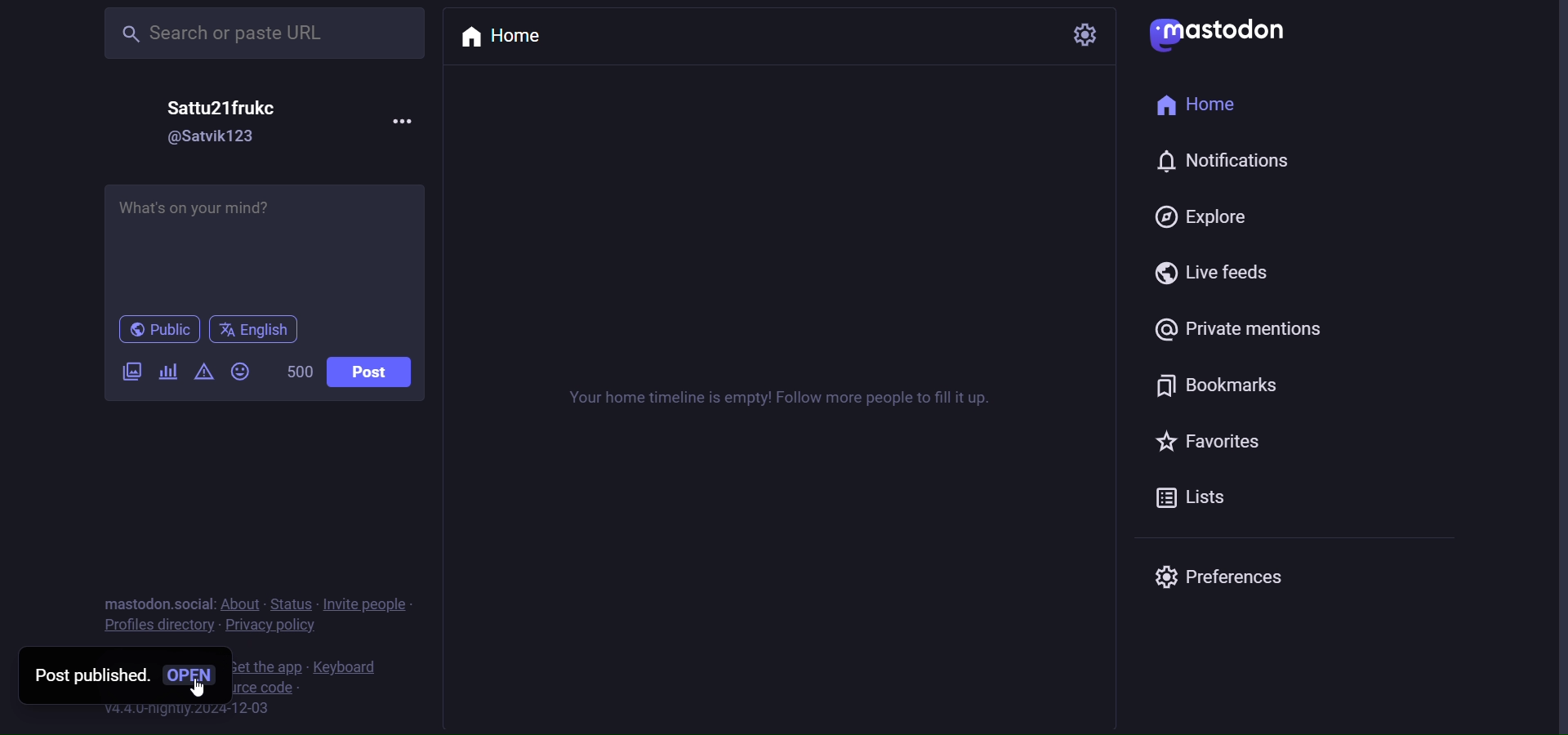 The image size is (1568, 735). Describe the element at coordinates (157, 627) in the screenshot. I see `profiles` at that location.